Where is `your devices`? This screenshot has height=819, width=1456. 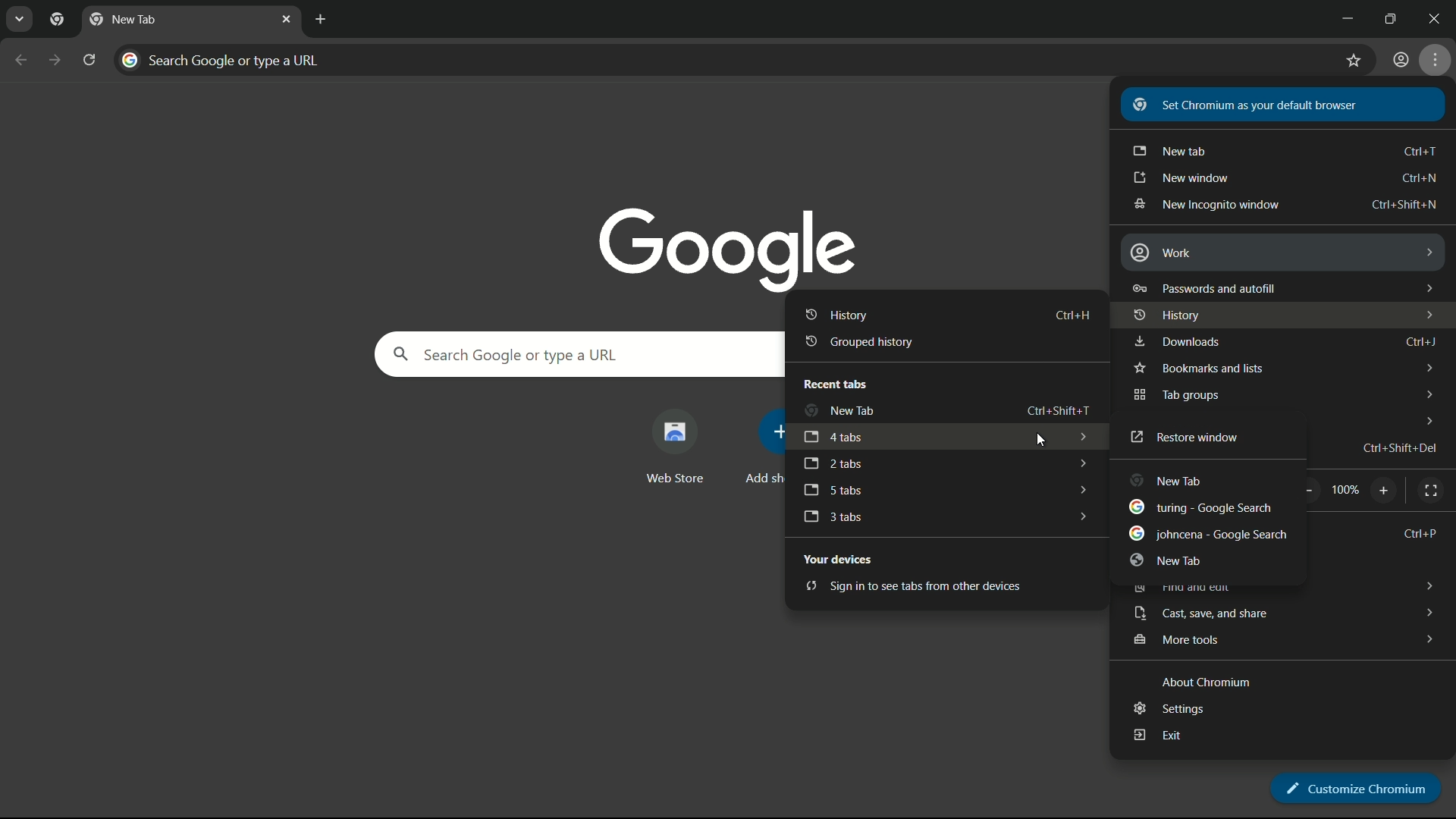 your devices is located at coordinates (842, 559).